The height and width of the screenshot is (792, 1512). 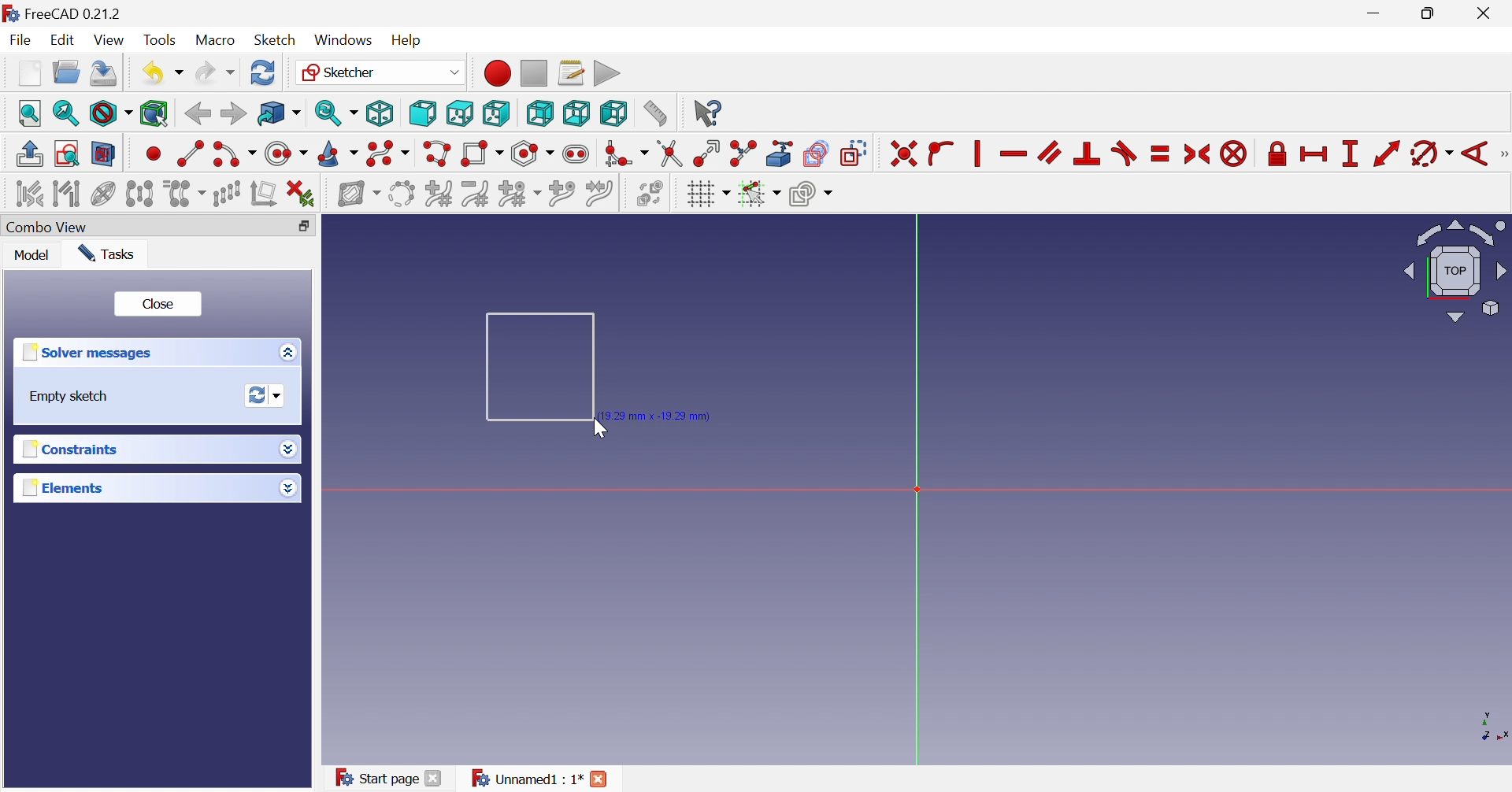 What do you see at coordinates (816, 153) in the screenshot?
I see `Create carbon copy` at bounding box center [816, 153].